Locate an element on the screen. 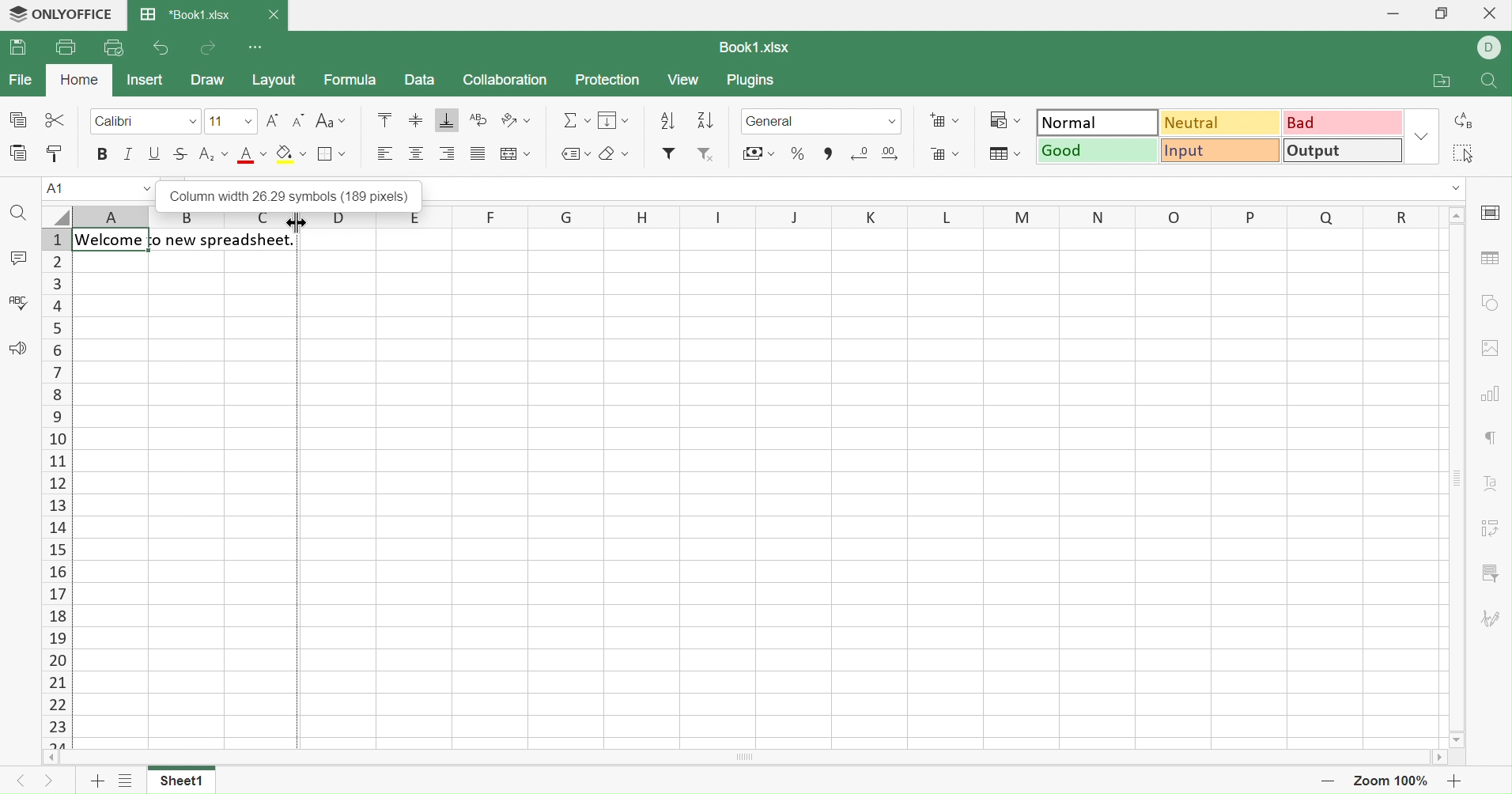 The width and height of the screenshot is (1512, 794). Wrap Text is located at coordinates (479, 119).